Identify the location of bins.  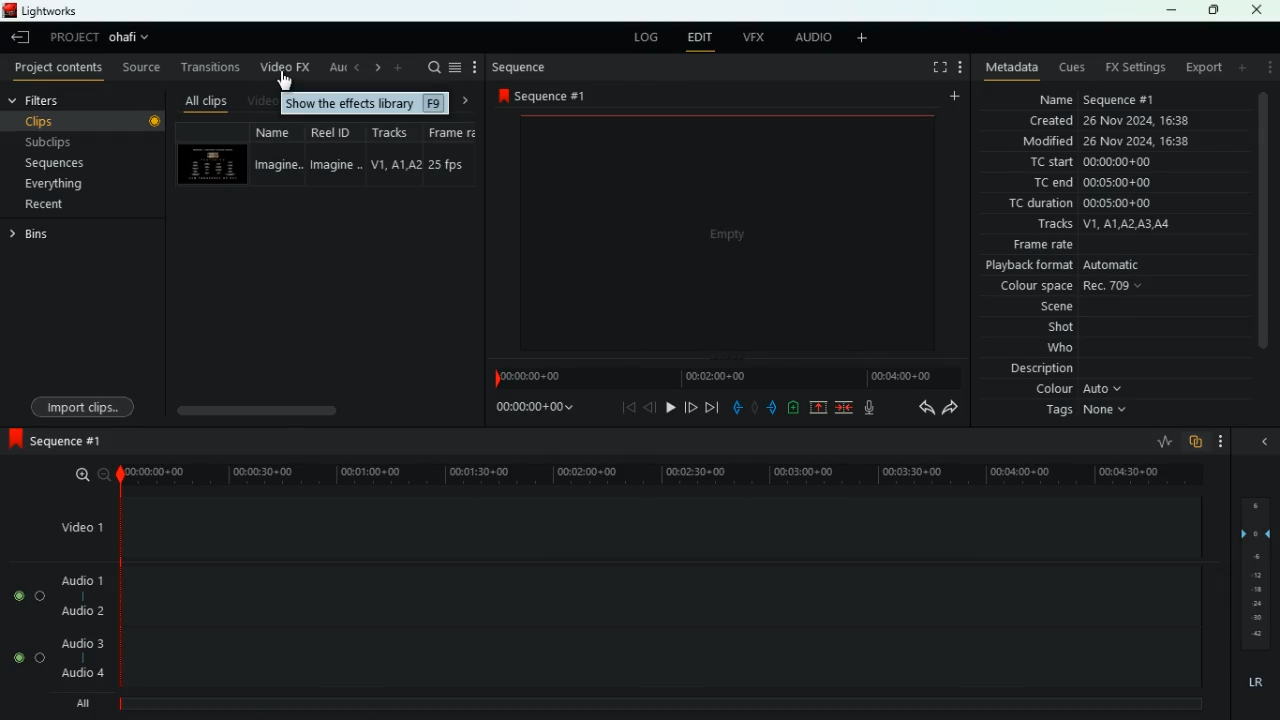
(39, 237).